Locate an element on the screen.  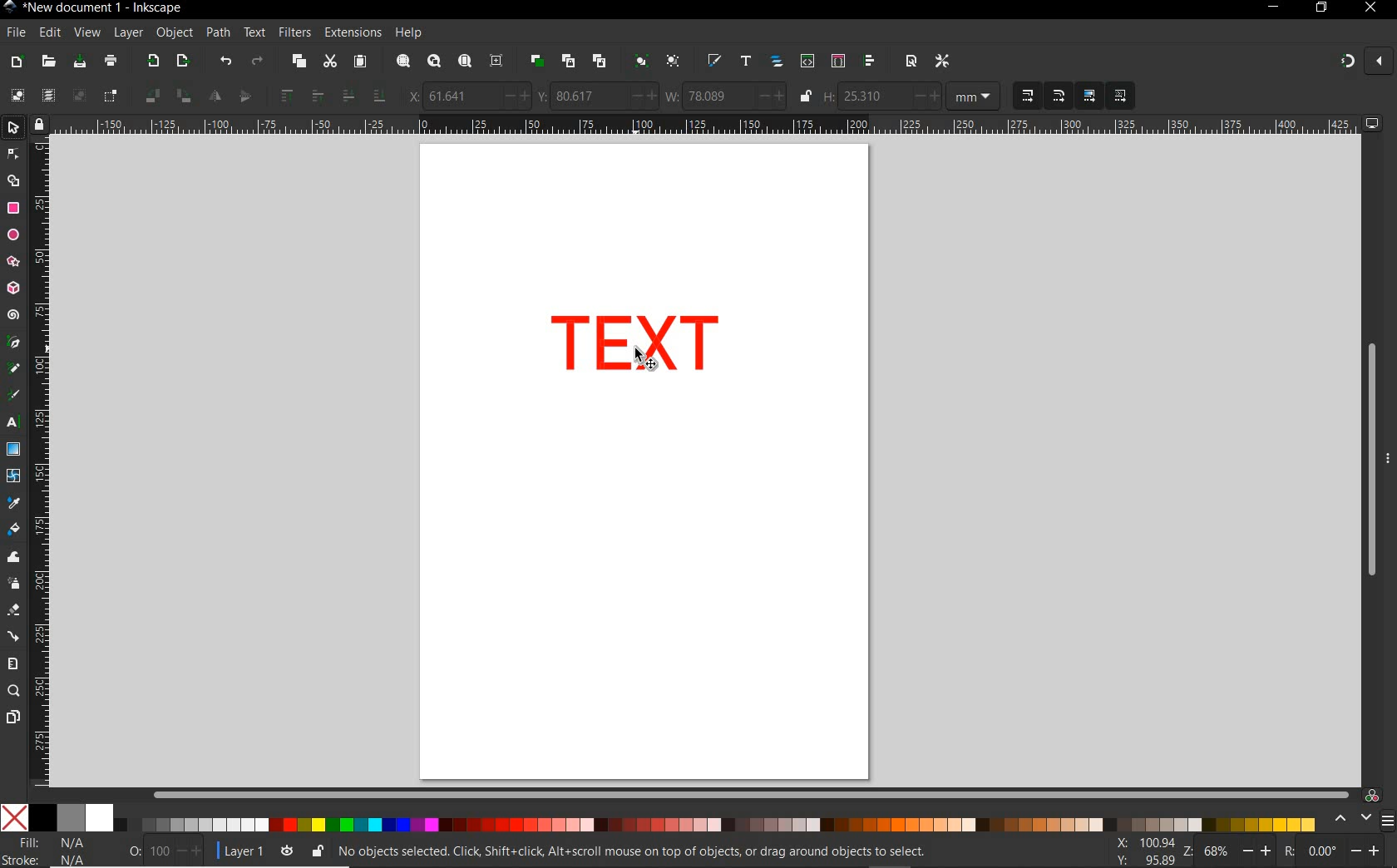
width of selection is located at coordinates (725, 96).